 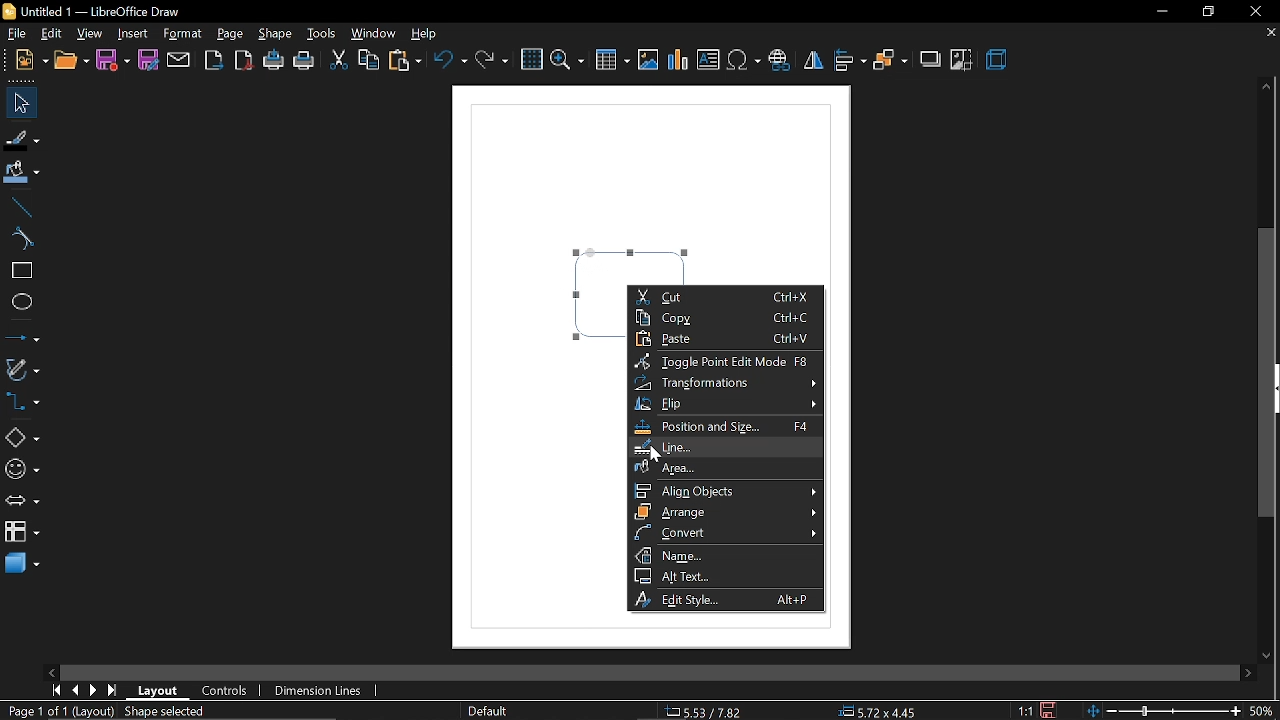 What do you see at coordinates (162, 691) in the screenshot?
I see `layout` at bounding box center [162, 691].